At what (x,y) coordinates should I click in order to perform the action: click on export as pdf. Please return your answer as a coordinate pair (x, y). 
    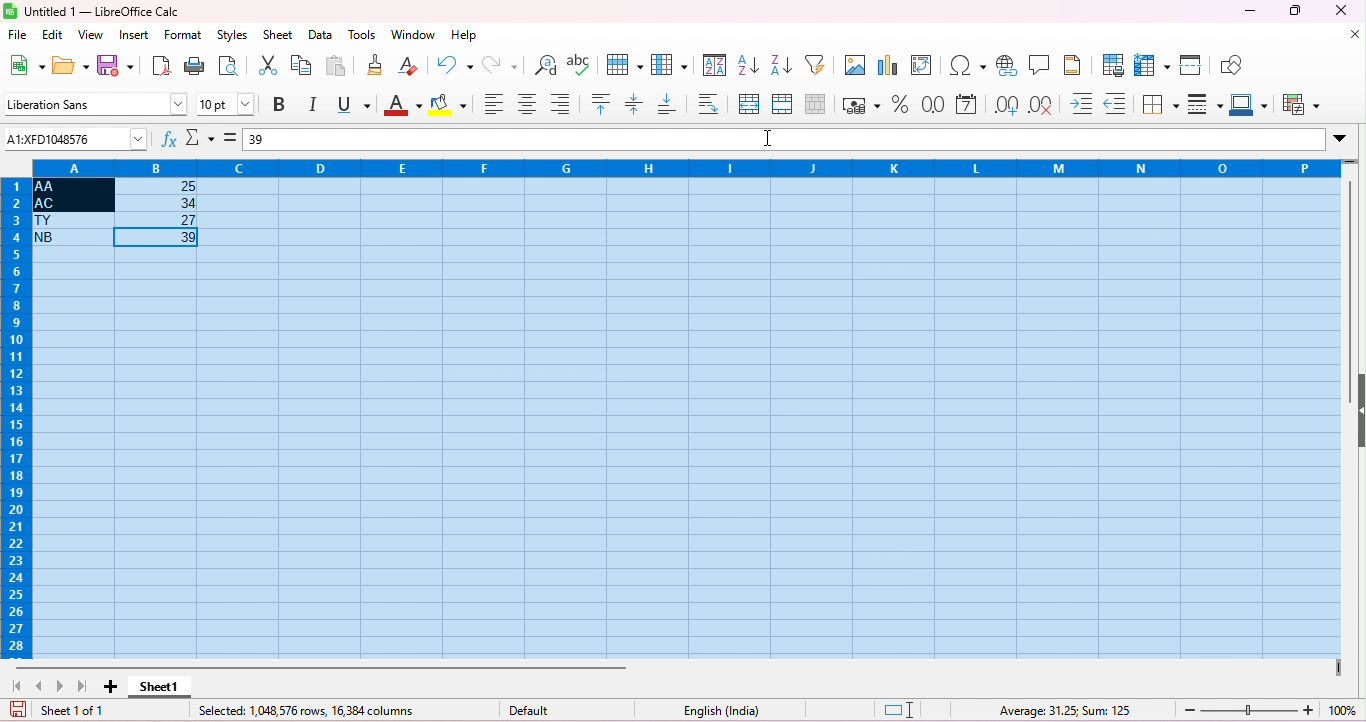
    Looking at the image, I should click on (161, 65).